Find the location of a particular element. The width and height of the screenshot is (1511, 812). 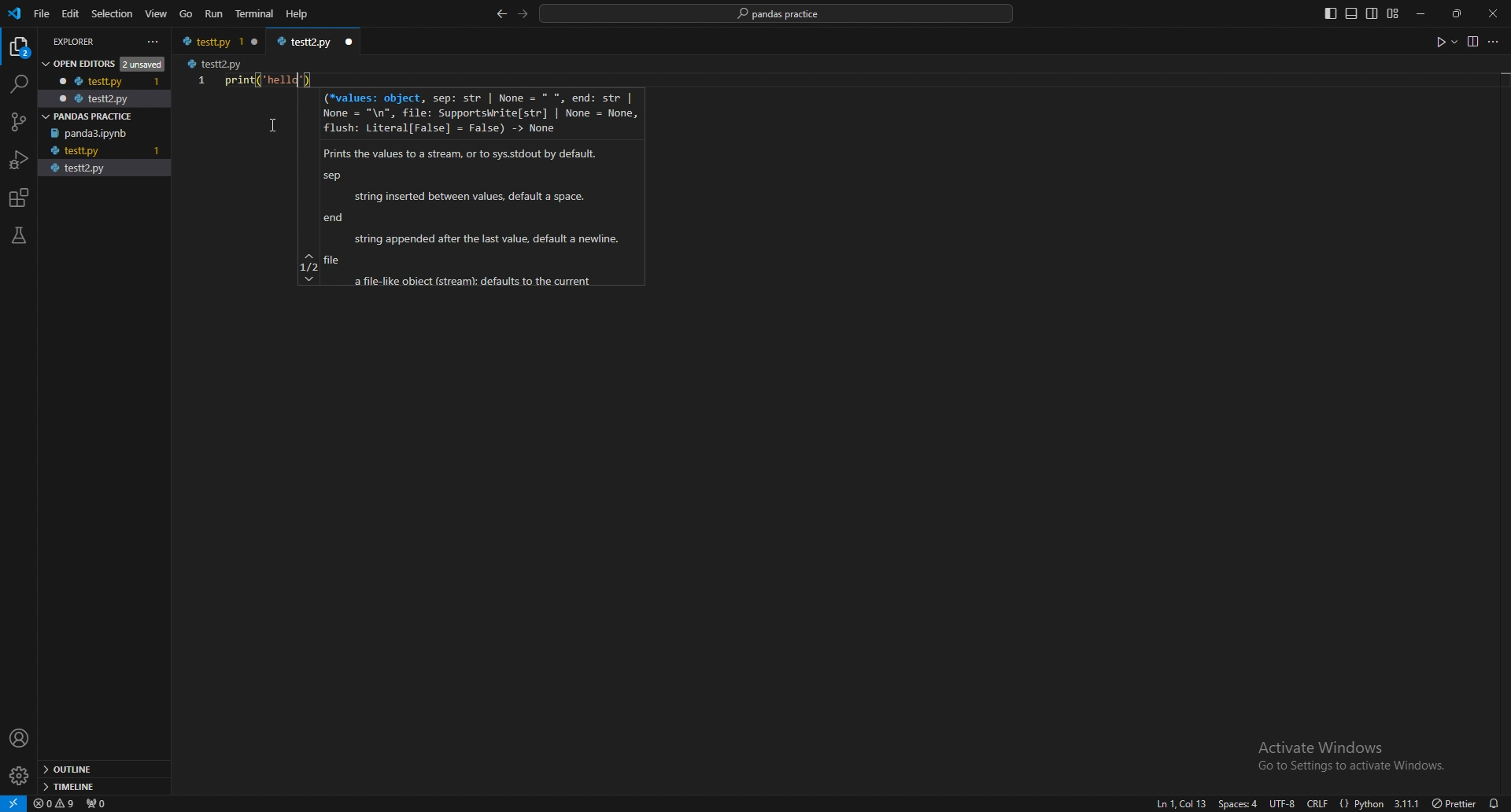

print("Hello") is located at coordinates (264, 79).